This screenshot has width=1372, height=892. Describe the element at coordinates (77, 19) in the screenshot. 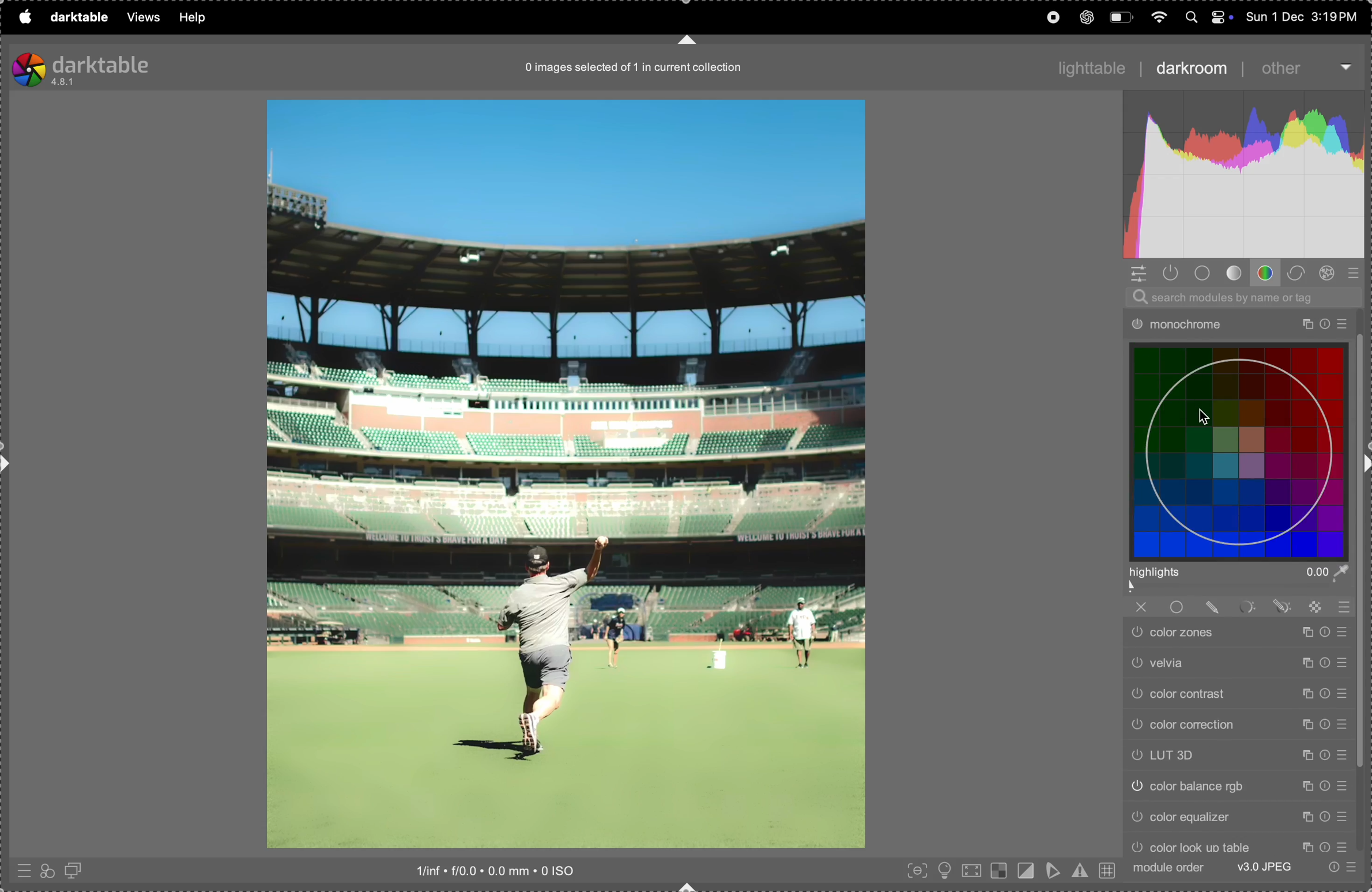

I see `darktable` at that location.